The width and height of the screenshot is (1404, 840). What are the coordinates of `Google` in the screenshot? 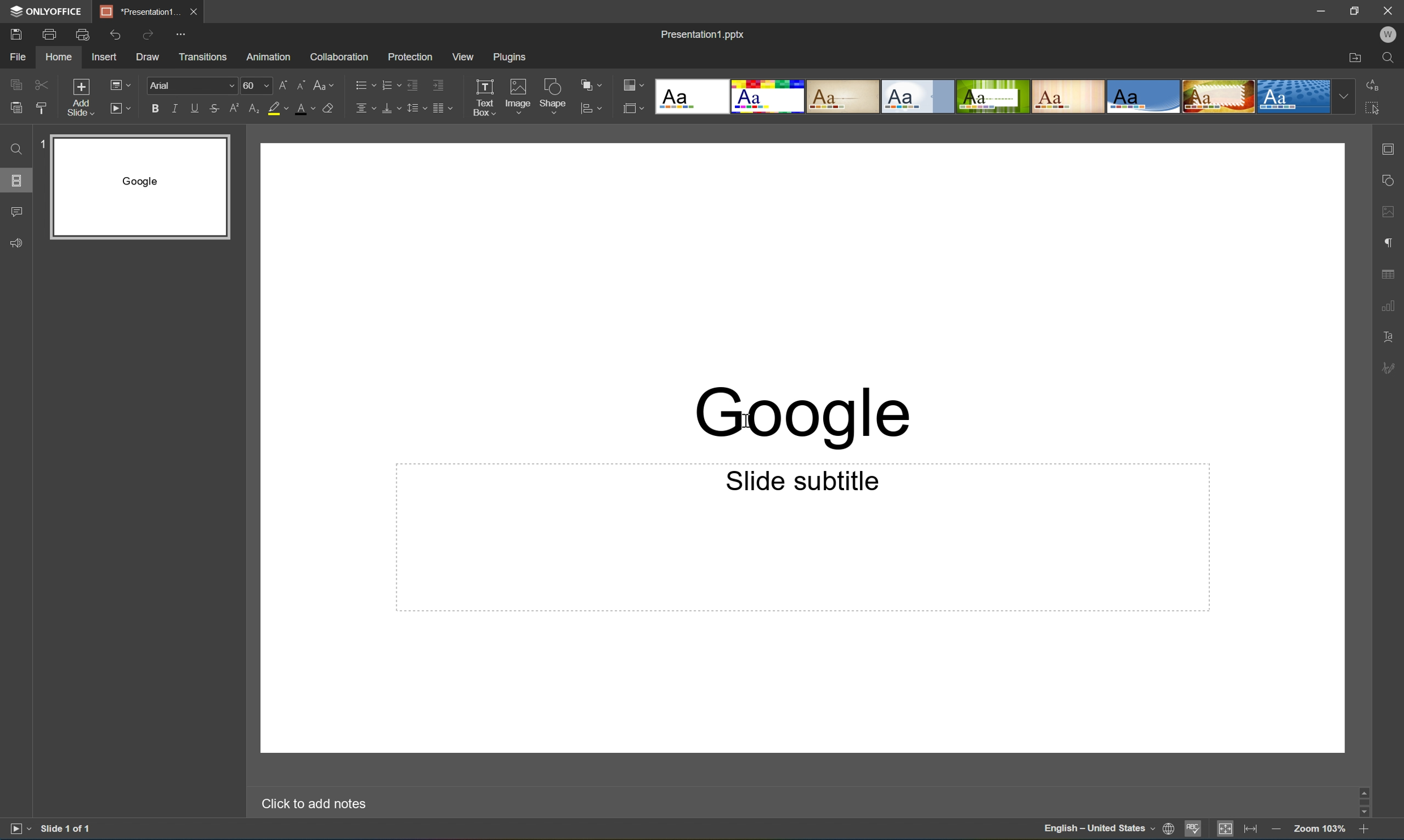 It's located at (800, 415).